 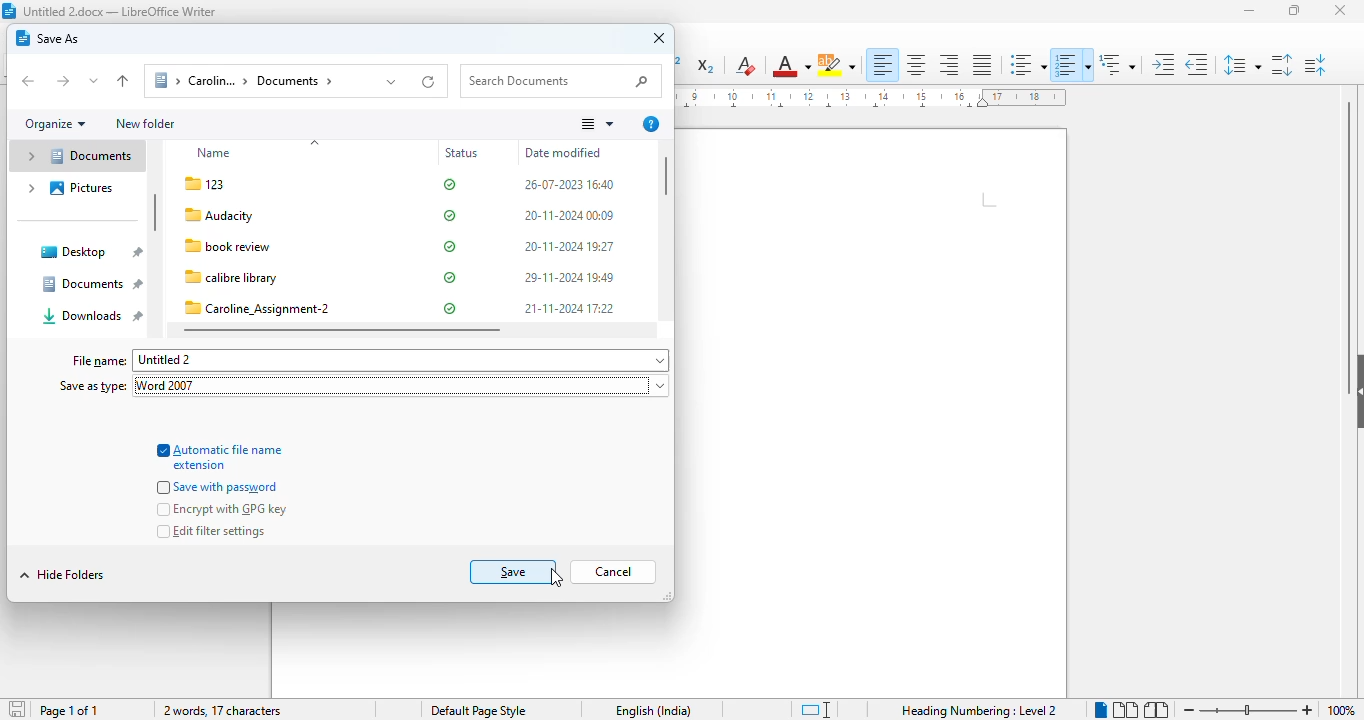 I want to click on text language, so click(x=654, y=711).